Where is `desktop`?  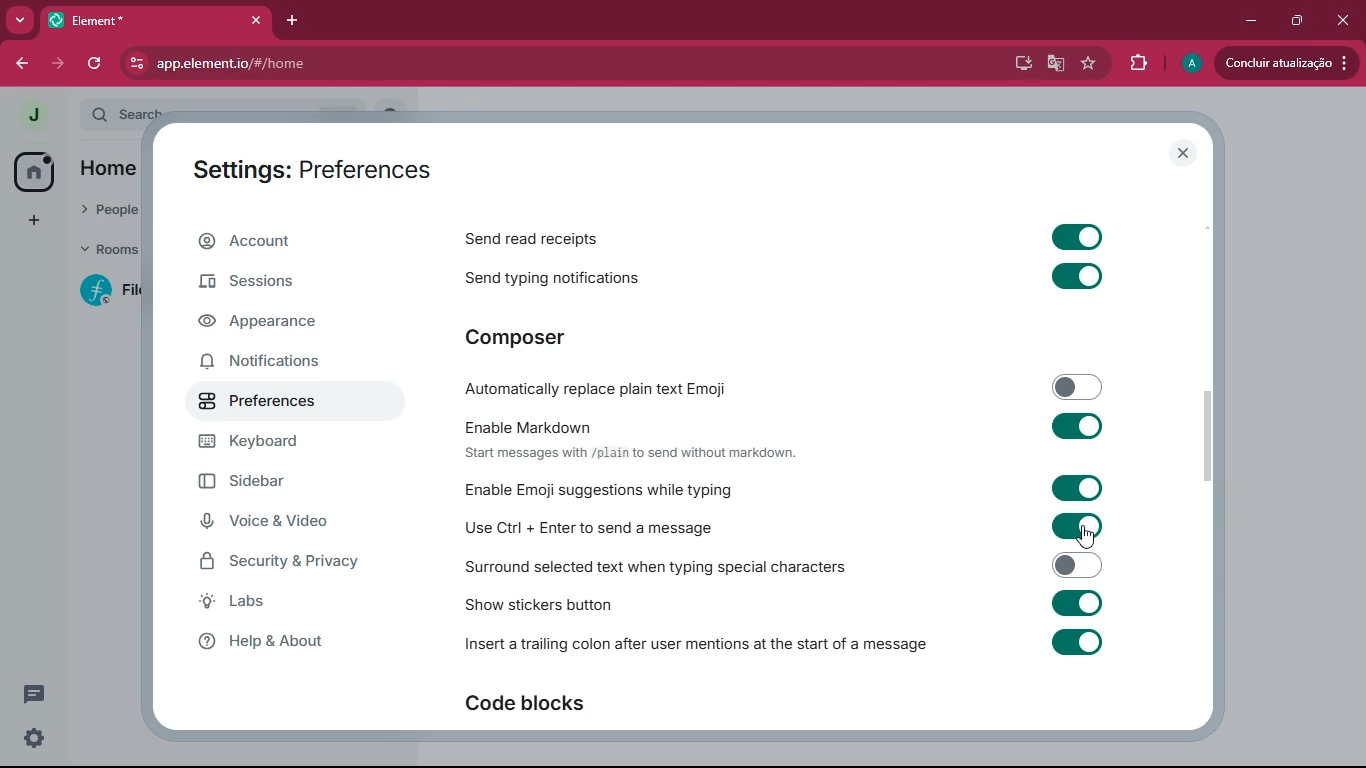 desktop is located at coordinates (1015, 63).